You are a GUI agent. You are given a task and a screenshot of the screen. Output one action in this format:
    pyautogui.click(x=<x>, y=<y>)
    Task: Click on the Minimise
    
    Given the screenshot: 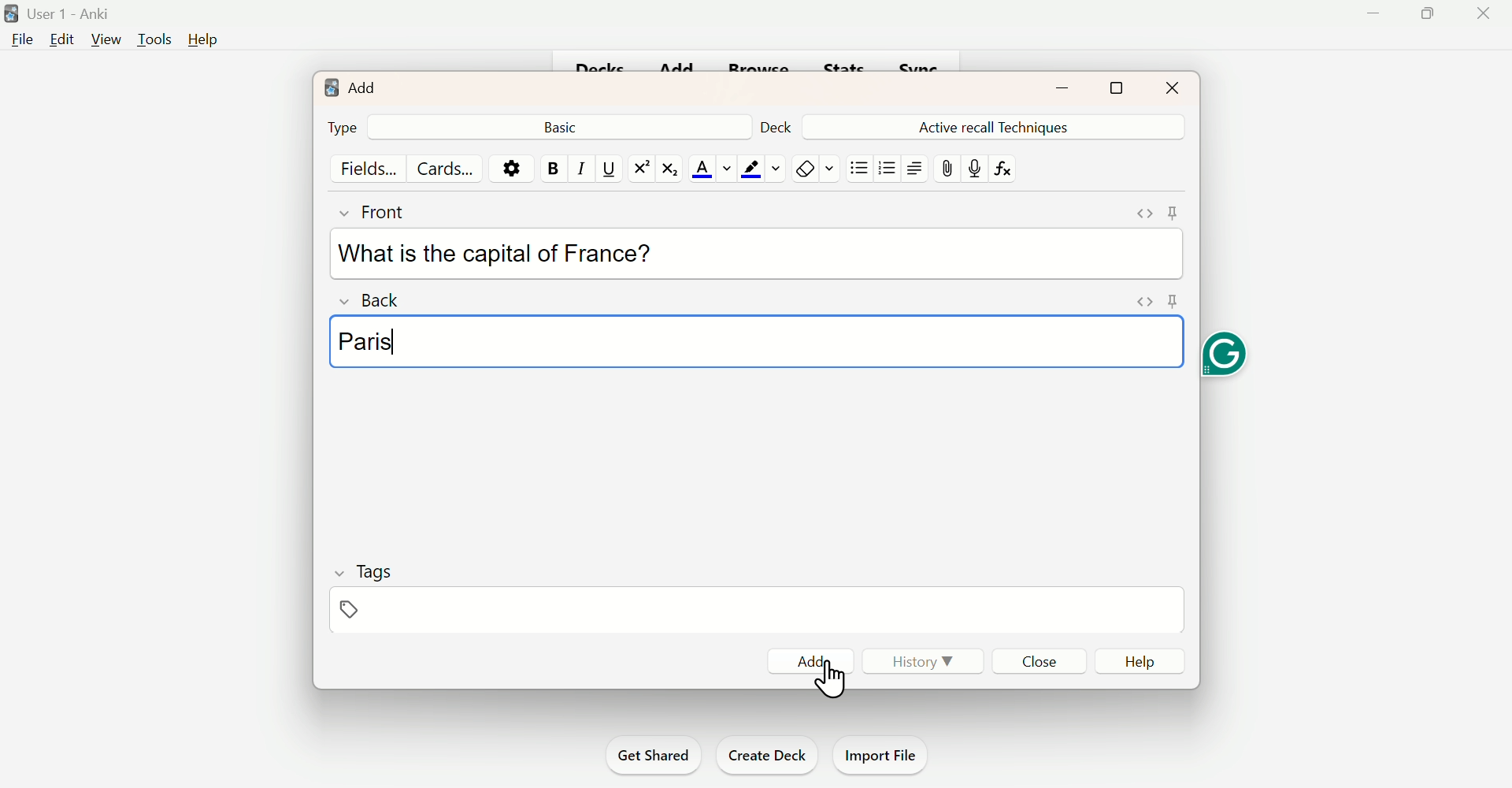 What is the action you would take?
    pyautogui.click(x=1373, y=15)
    